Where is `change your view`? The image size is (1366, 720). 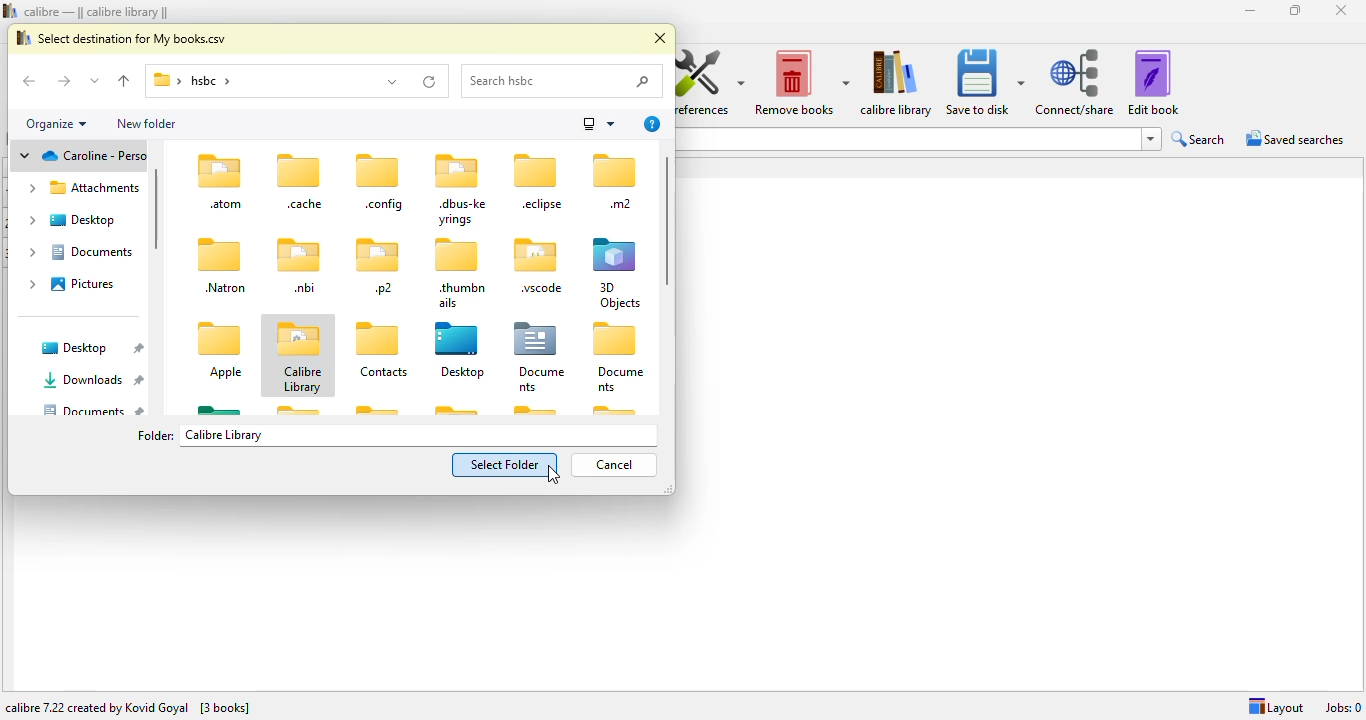 change your view is located at coordinates (597, 123).